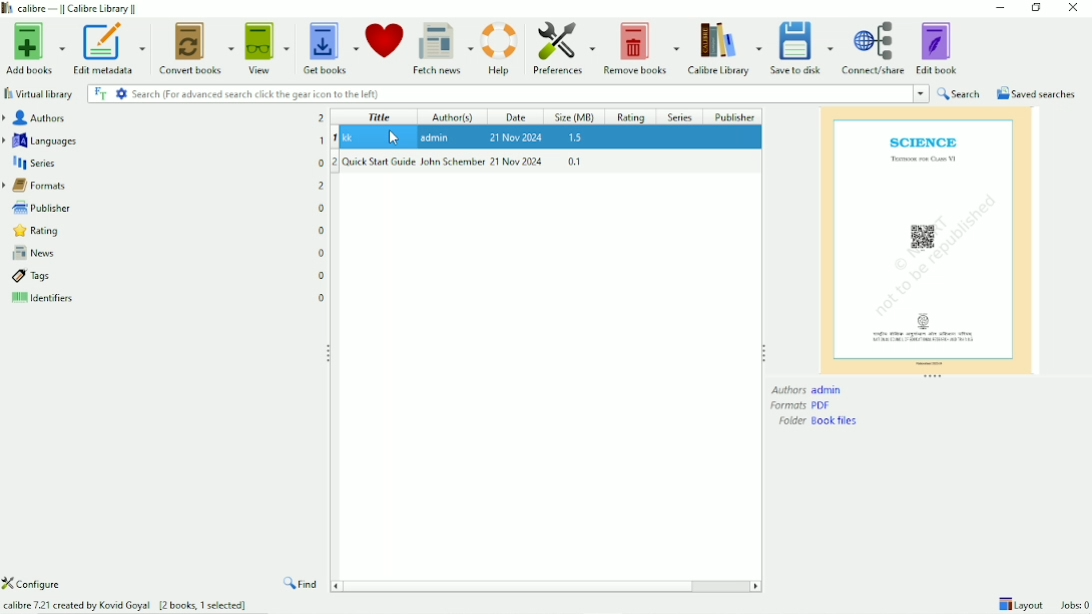 This screenshot has width=1092, height=614. What do you see at coordinates (926, 239) in the screenshot?
I see `Preview` at bounding box center [926, 239].